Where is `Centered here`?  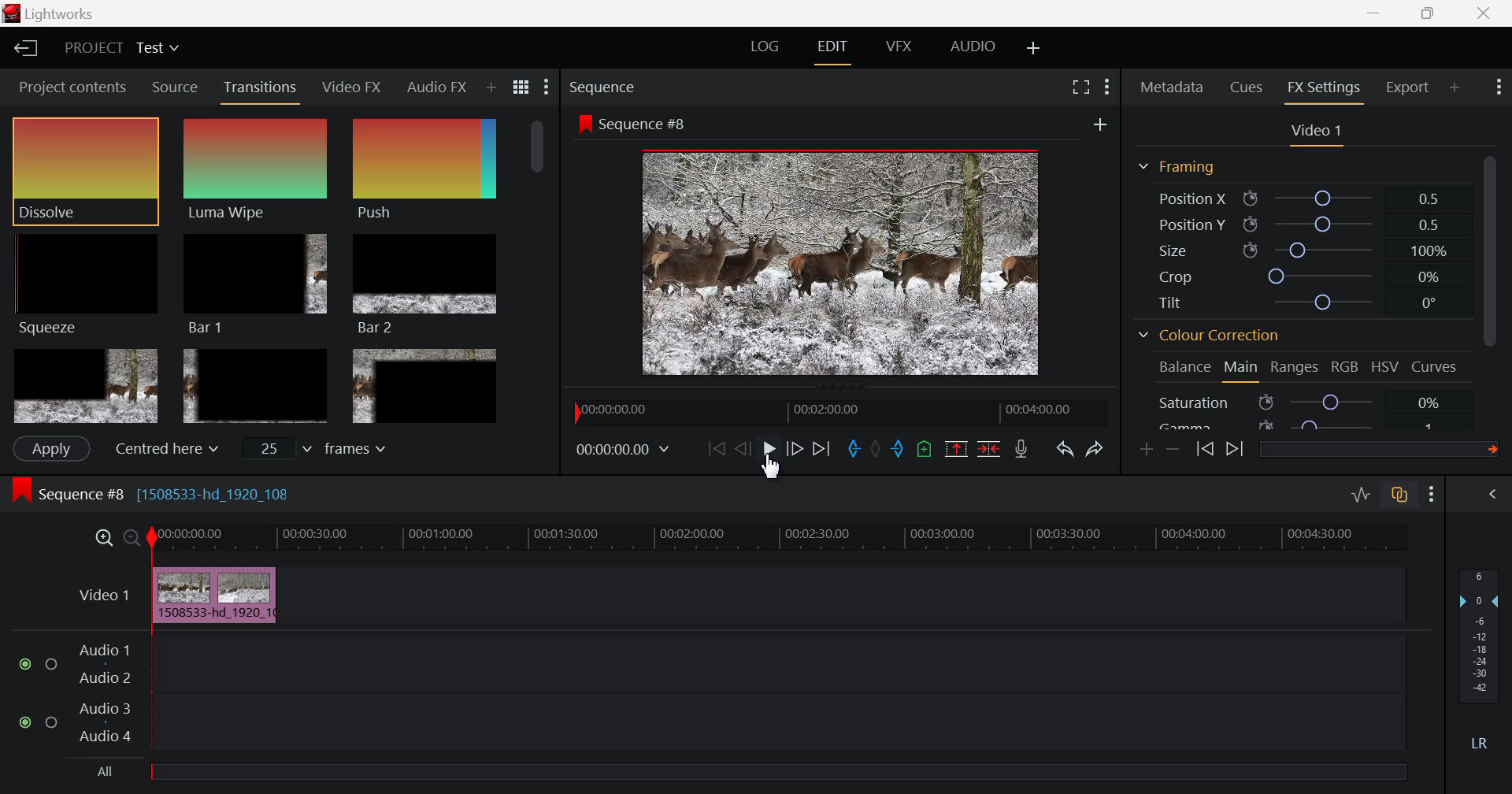
Centered here is located at coordinates (162, 449).